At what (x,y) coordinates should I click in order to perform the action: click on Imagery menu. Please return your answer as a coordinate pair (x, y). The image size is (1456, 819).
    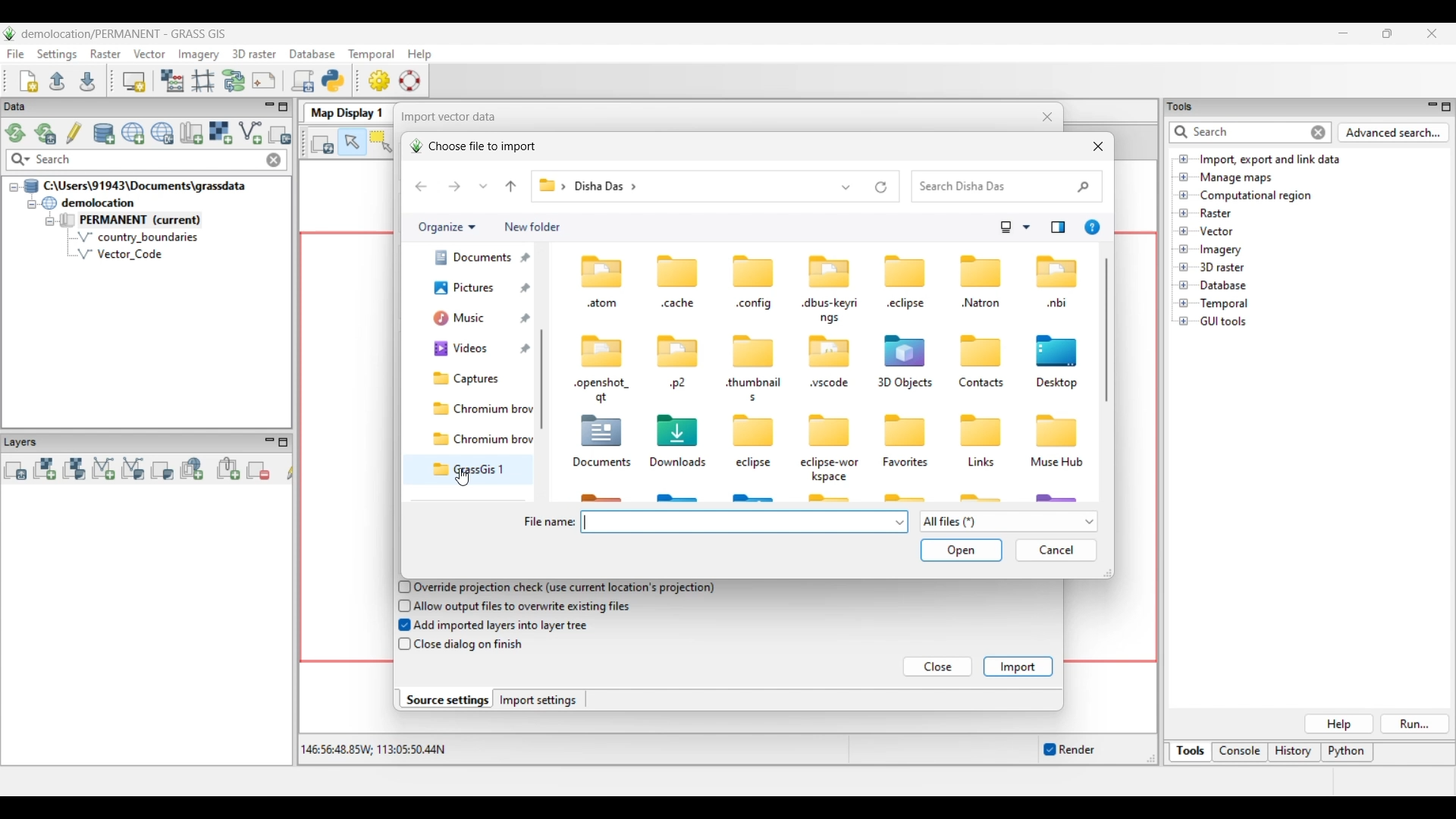
    Looking at the image, I should click on (199, 55).